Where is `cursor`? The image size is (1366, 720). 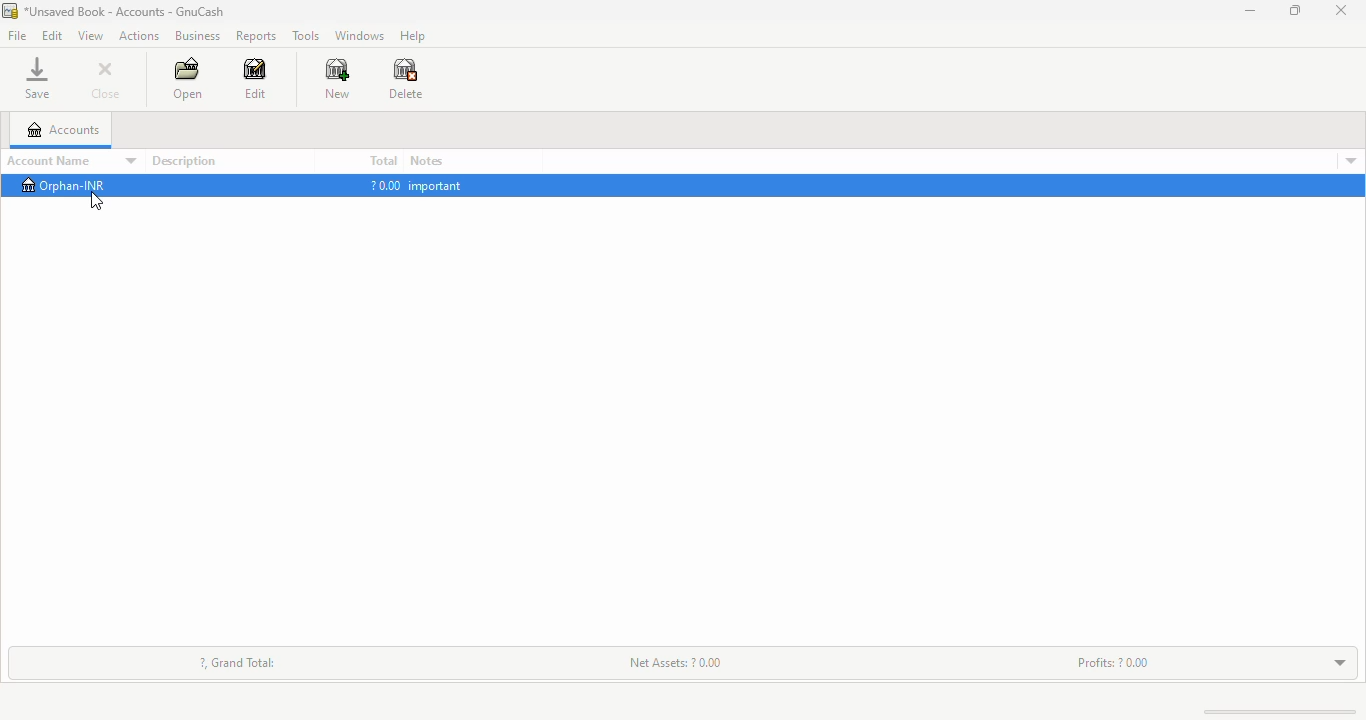
cursor is located at coordinates (97, 202).